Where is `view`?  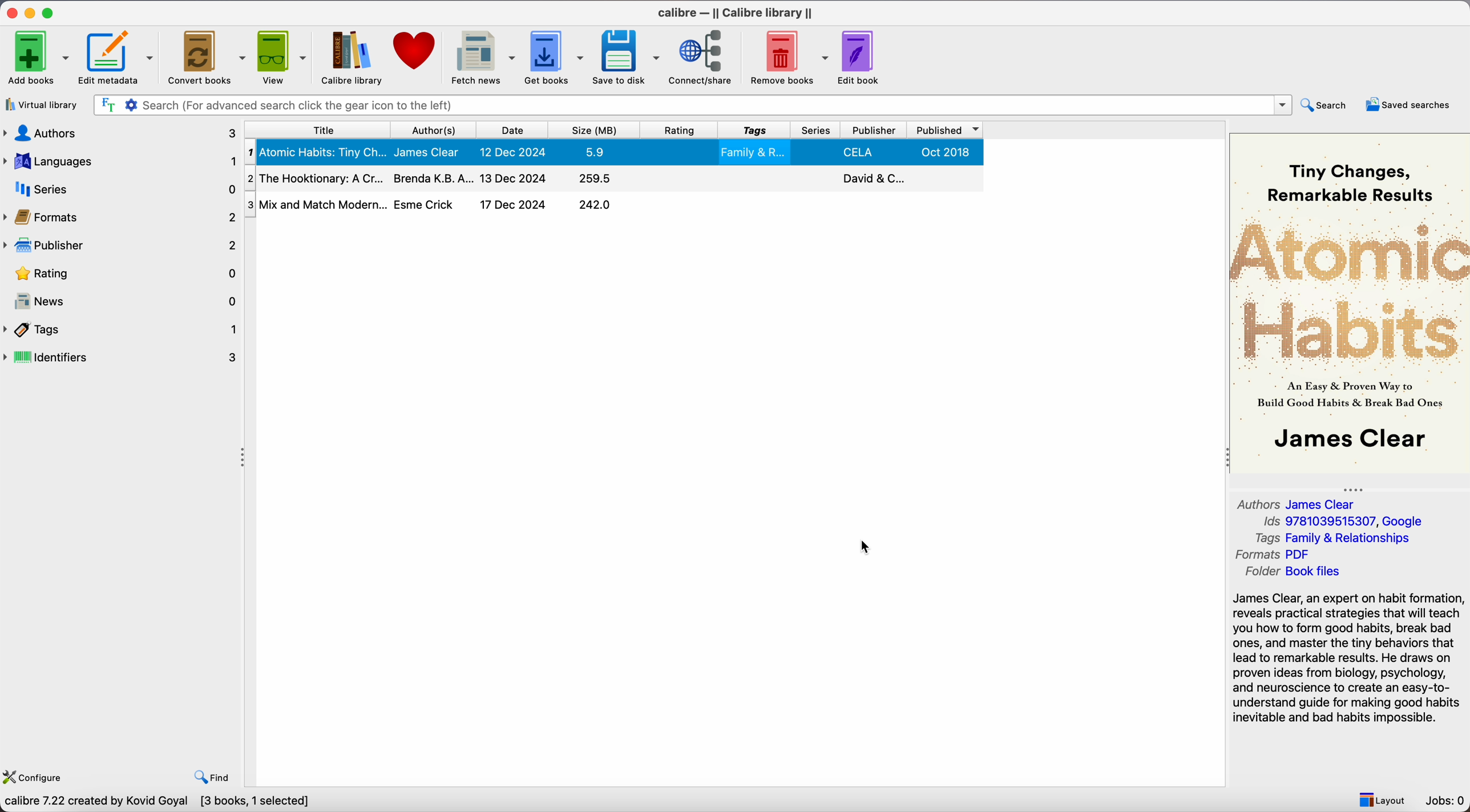 view is located at coordinates (282, 57).